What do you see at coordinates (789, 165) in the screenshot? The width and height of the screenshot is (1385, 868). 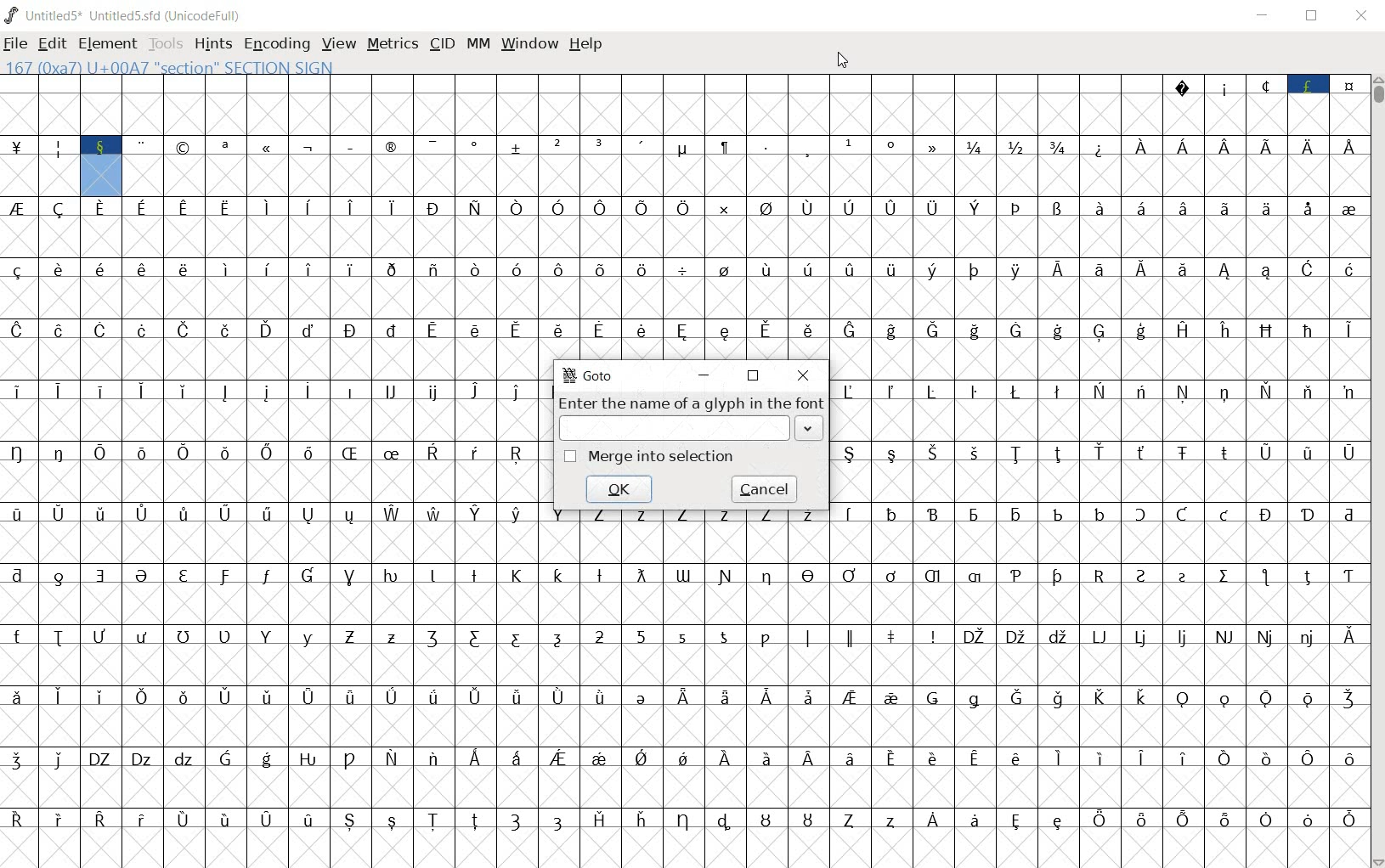 I see `special character` at bounding box center [789, 165].